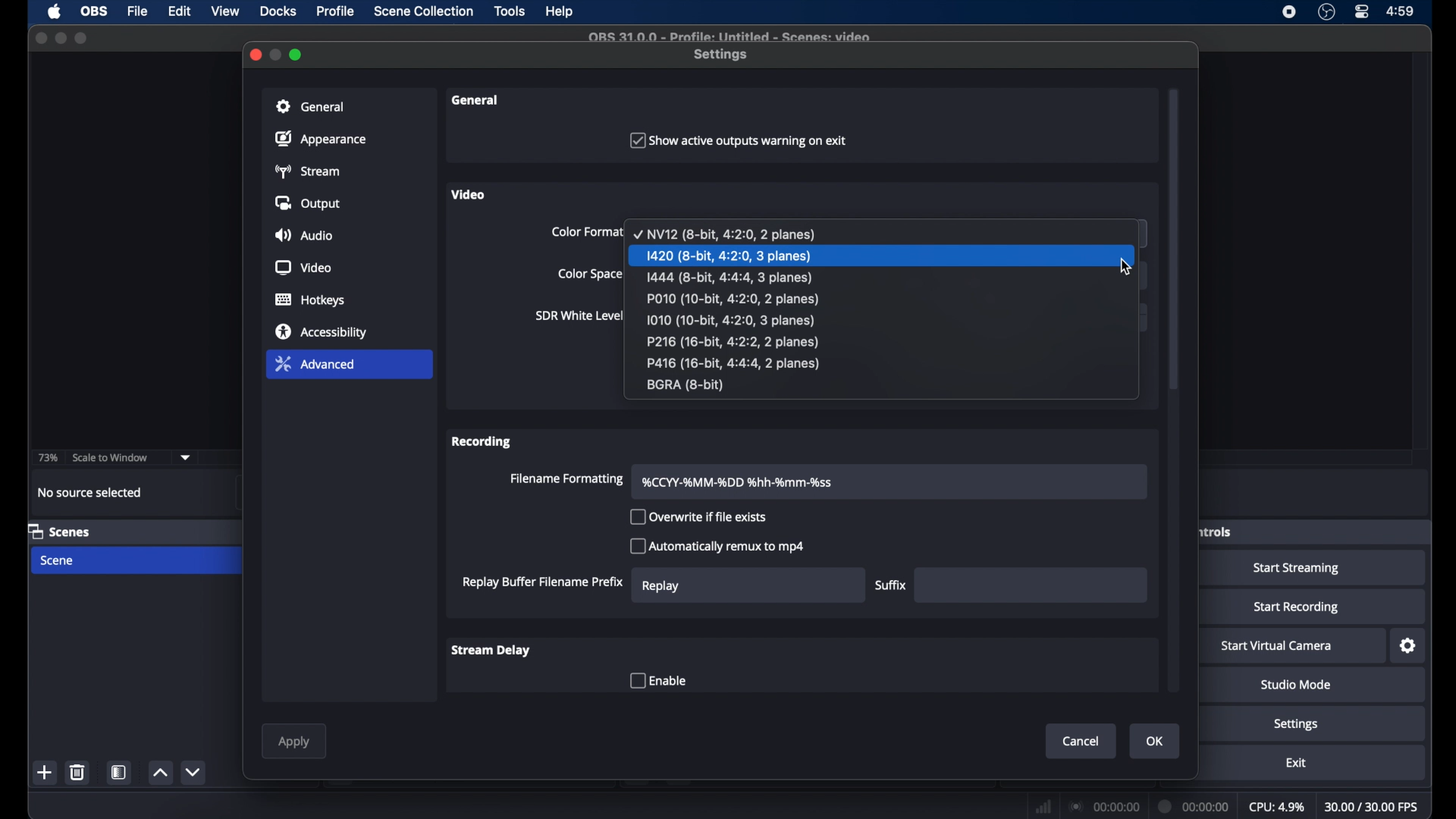 This screenshot has width=1456, height=819. What do you see at coordinates (310, 300) in the screenshot?
I see `hotkeys` at bounding box center [310, 300].